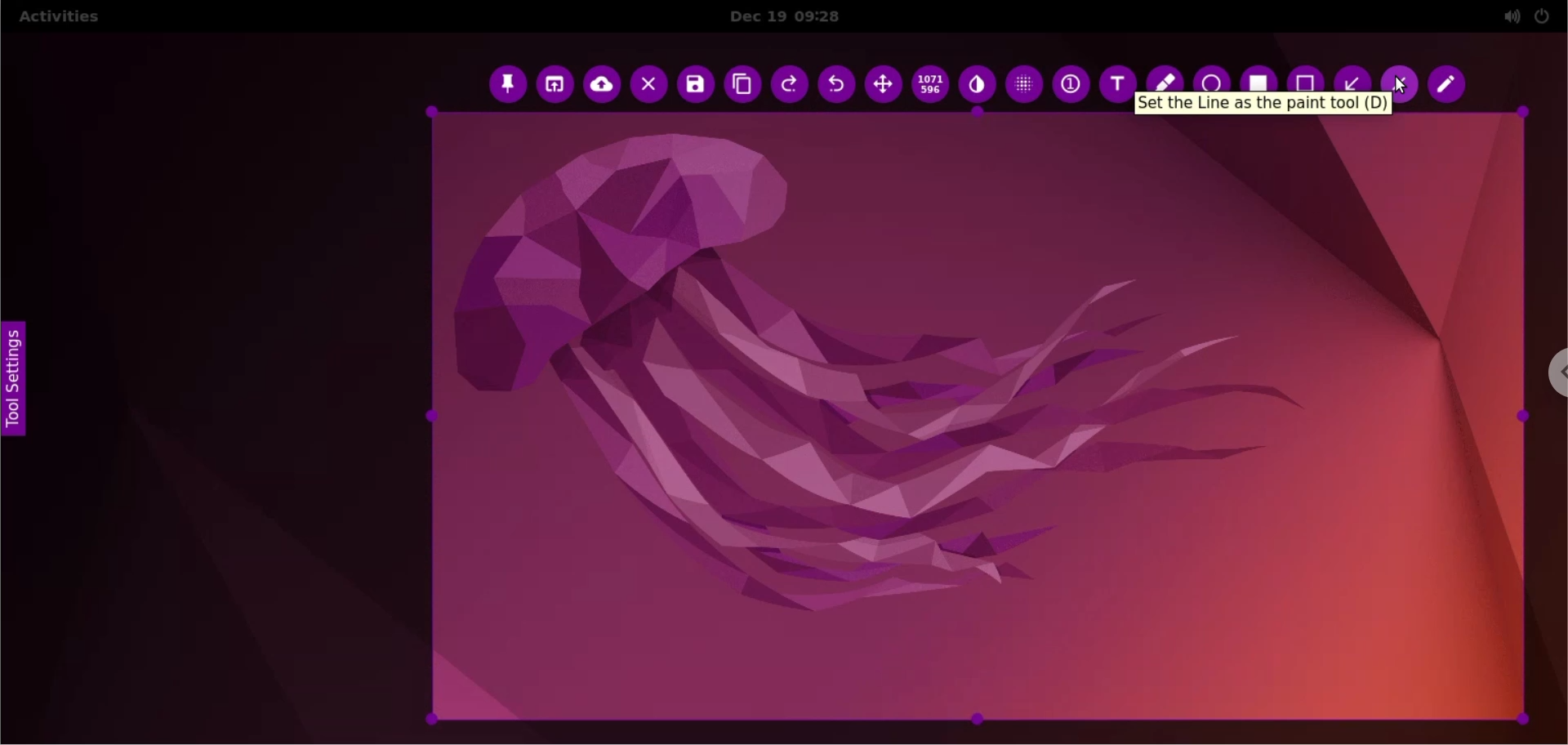 The height and width of the screenshot is (745, 1568). What do you see at coordinates (1549, 374) in the screenshot?
I see `chrome options` at bounding box center [1549, 374].